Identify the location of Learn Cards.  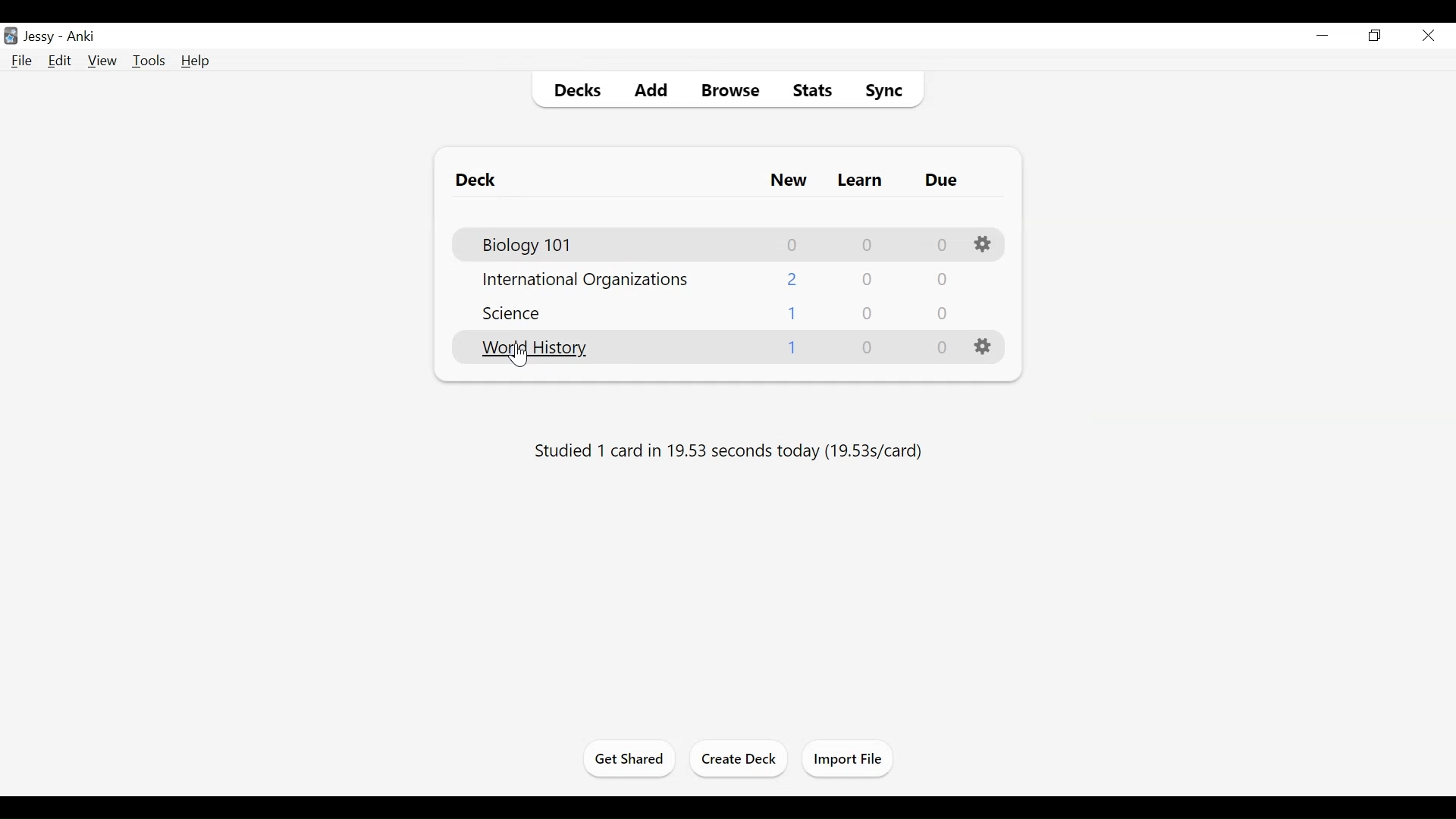
(861, 179).